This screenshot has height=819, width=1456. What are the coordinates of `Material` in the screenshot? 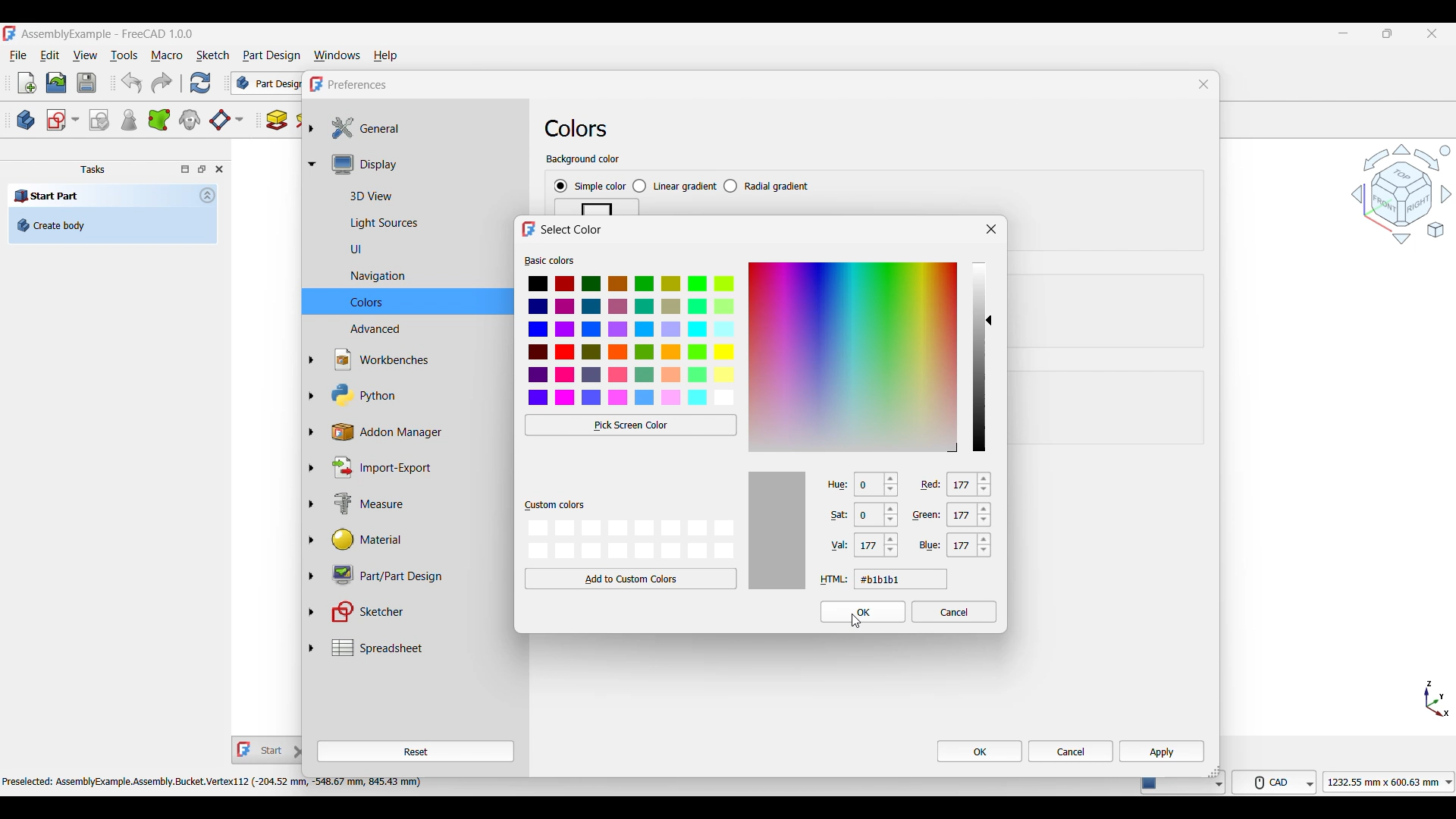 It's located at (414, 540).